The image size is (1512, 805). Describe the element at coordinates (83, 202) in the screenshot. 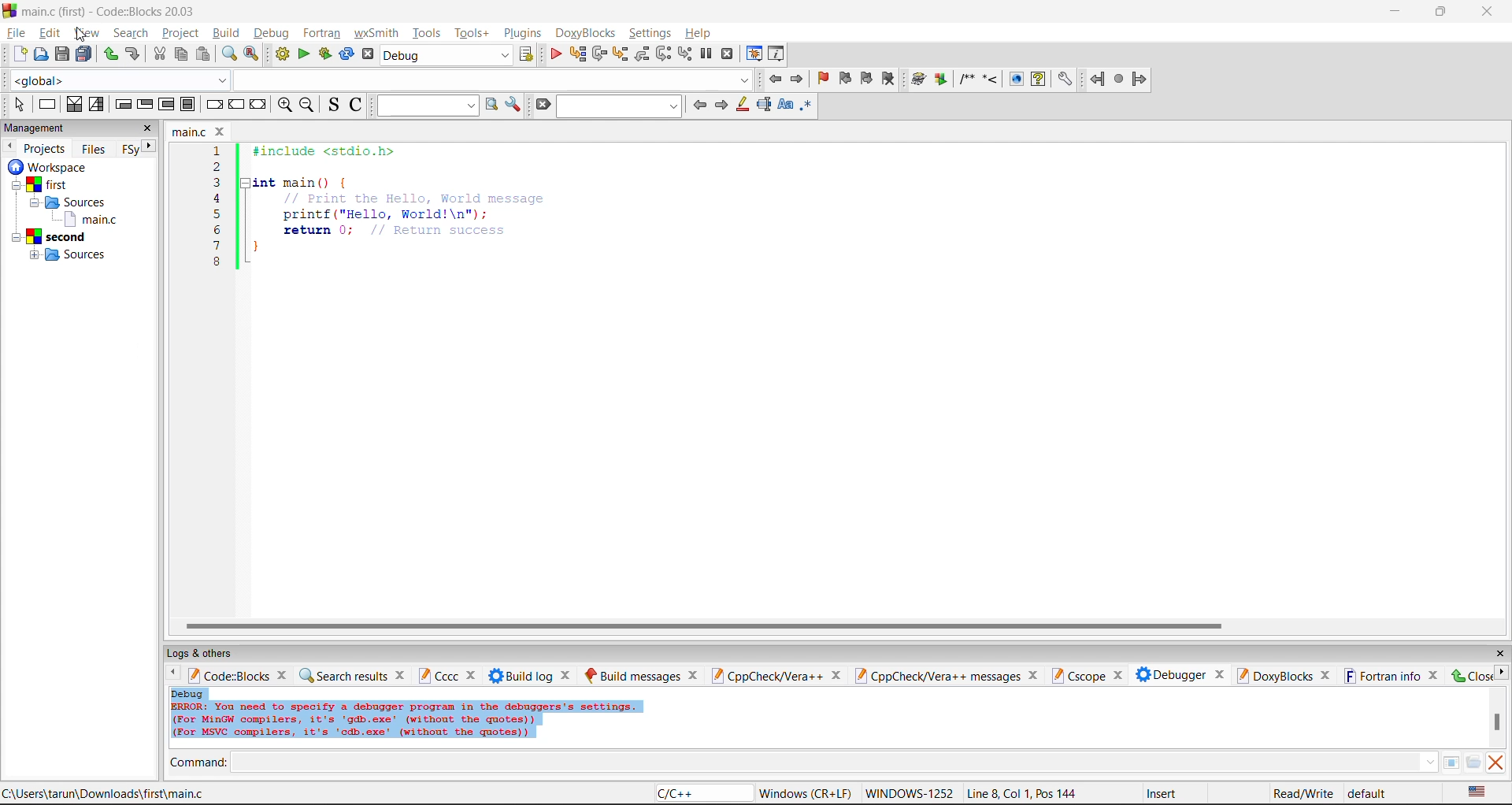

I see `Sources` at that location.